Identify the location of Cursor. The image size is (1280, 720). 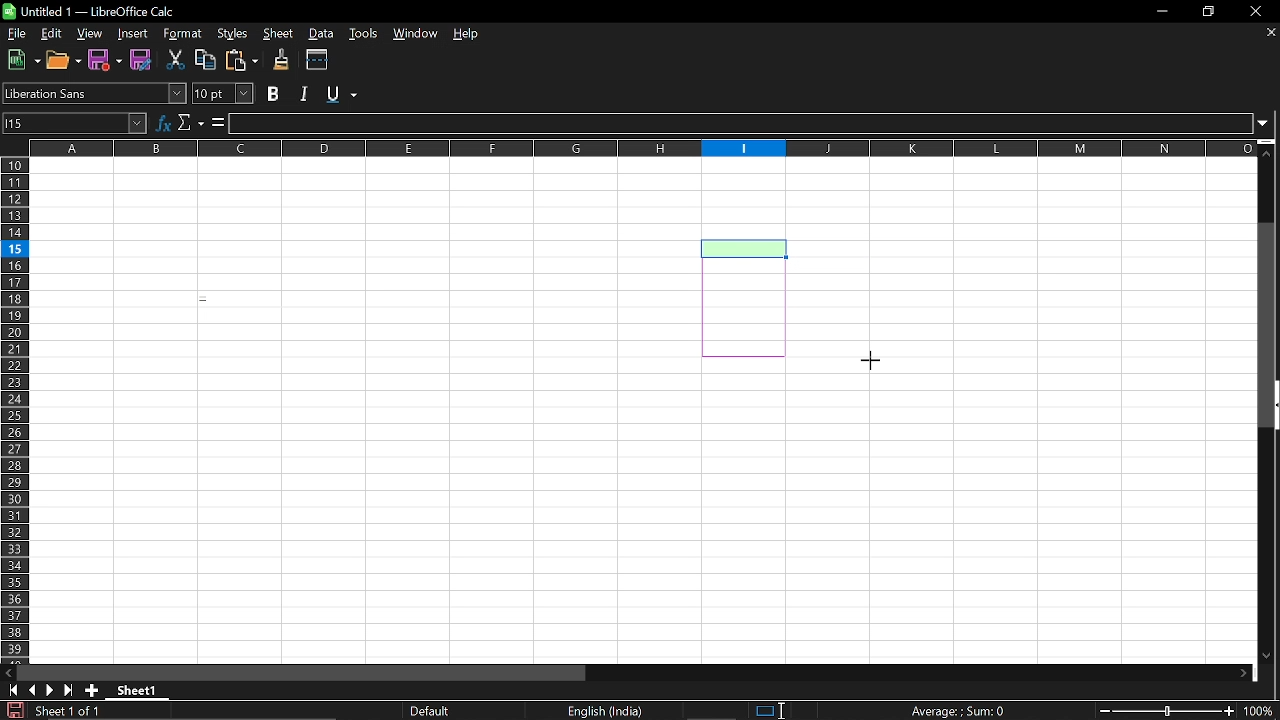
(870, 364).